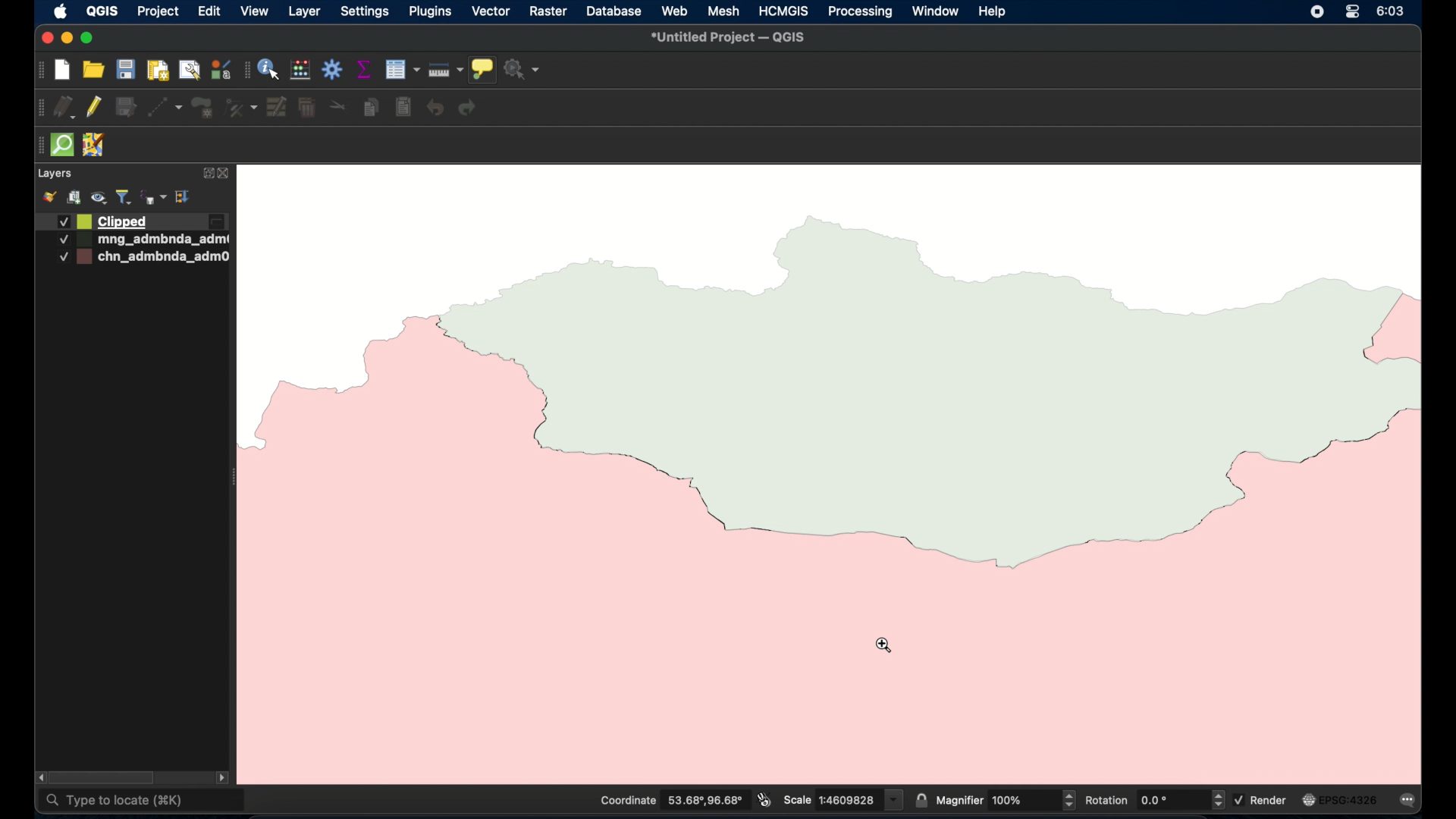  Describe the element at coordinates (127, 108) in the screenshot. I see `save edits` at that location.